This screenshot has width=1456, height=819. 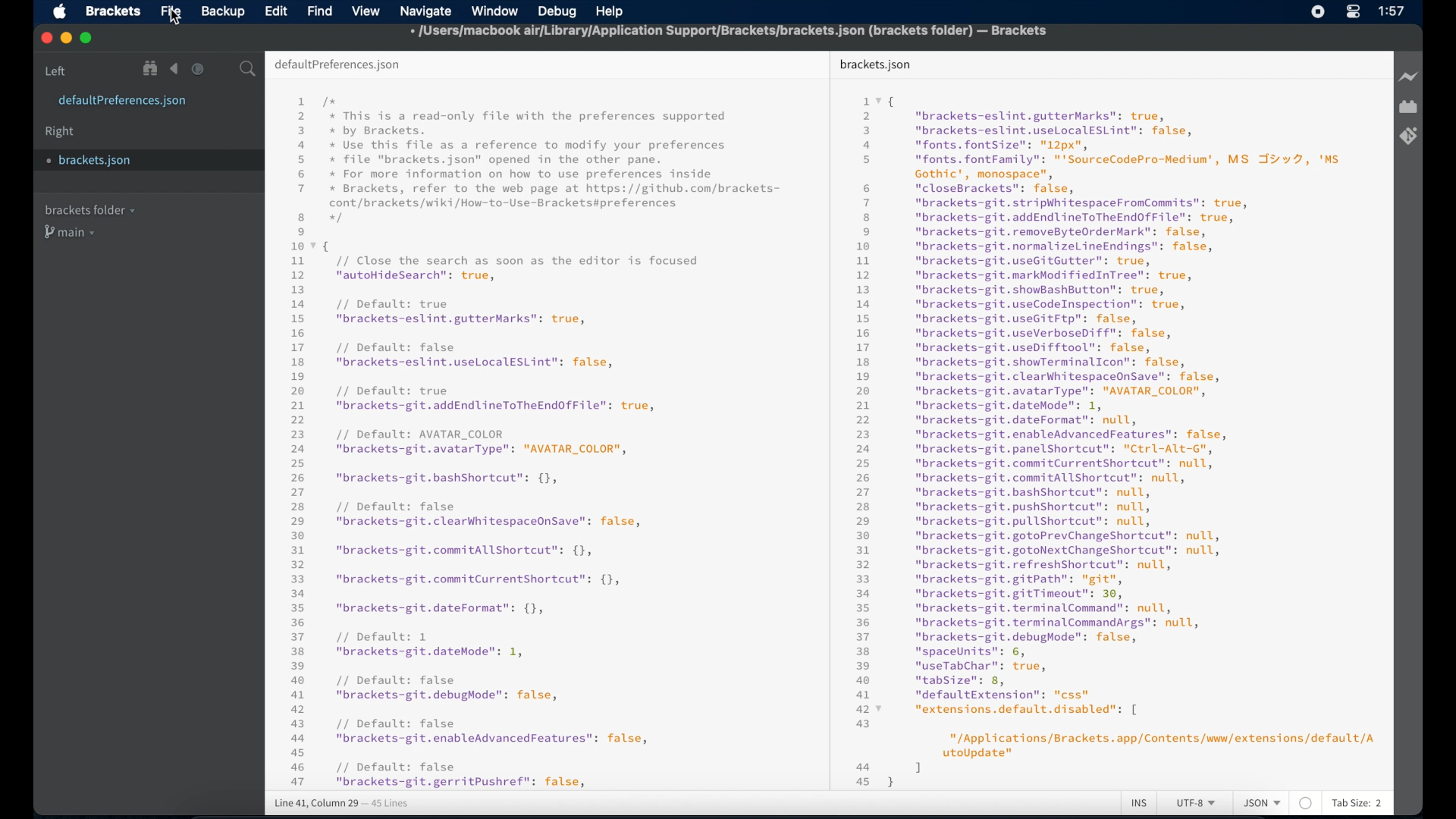 What do you see at coordinates (177, 18) in the screenshot?
I see `Cursor` at bounding box center [177, 18].